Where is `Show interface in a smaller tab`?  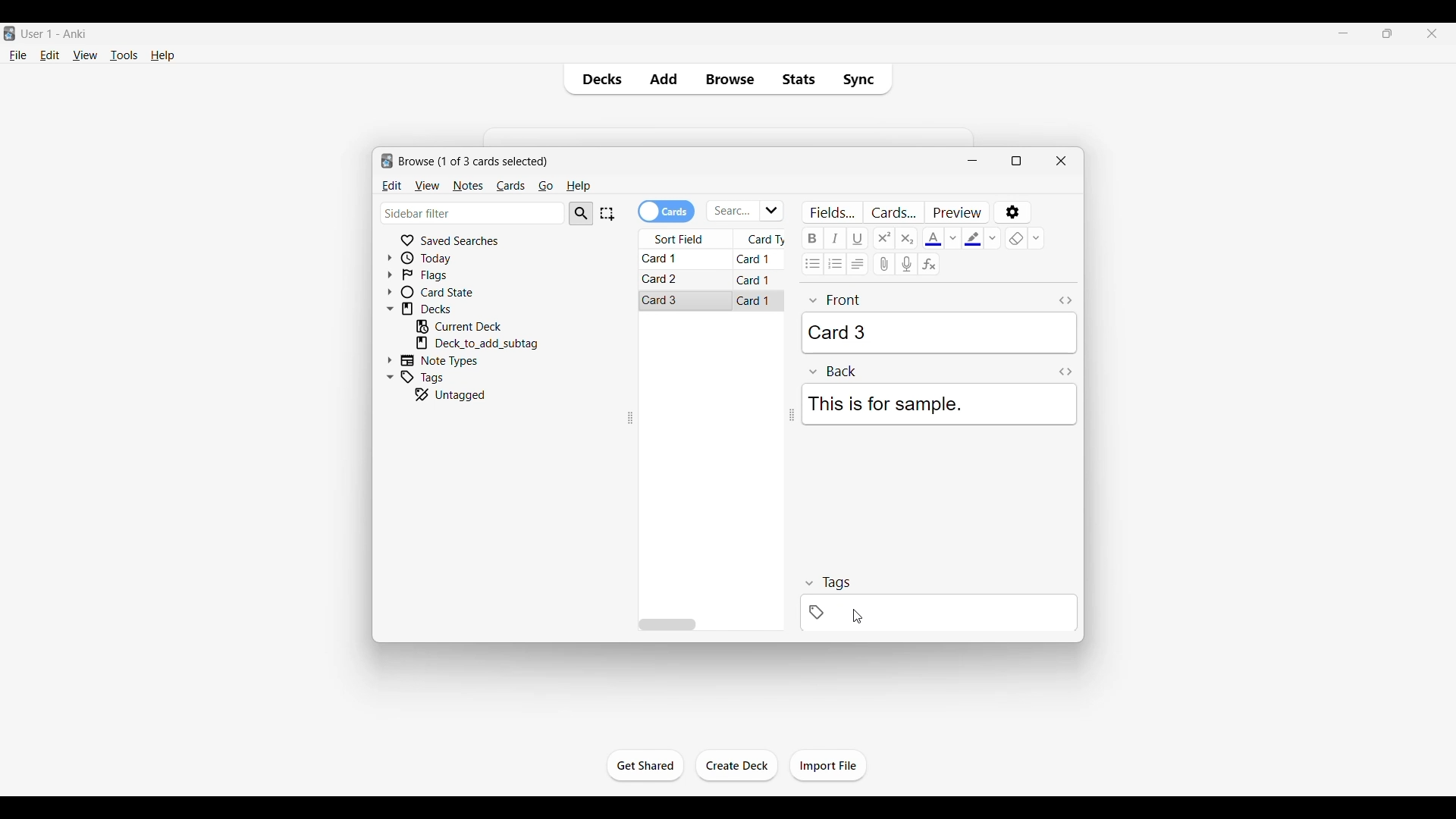
Show interface in a smaller tab is located at coordinates (1387, 33).